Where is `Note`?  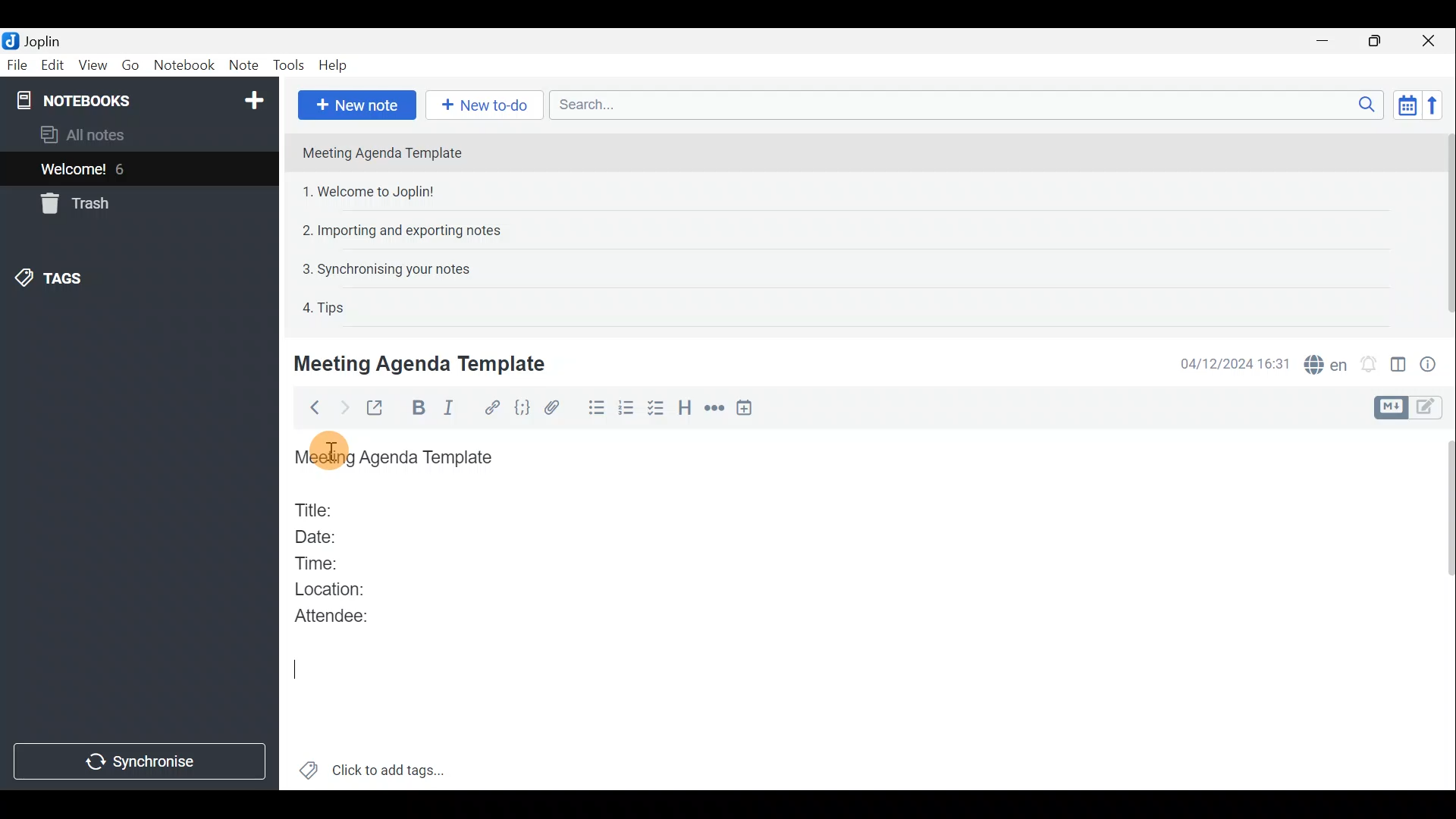
Note is located at coordinates (242, 62).